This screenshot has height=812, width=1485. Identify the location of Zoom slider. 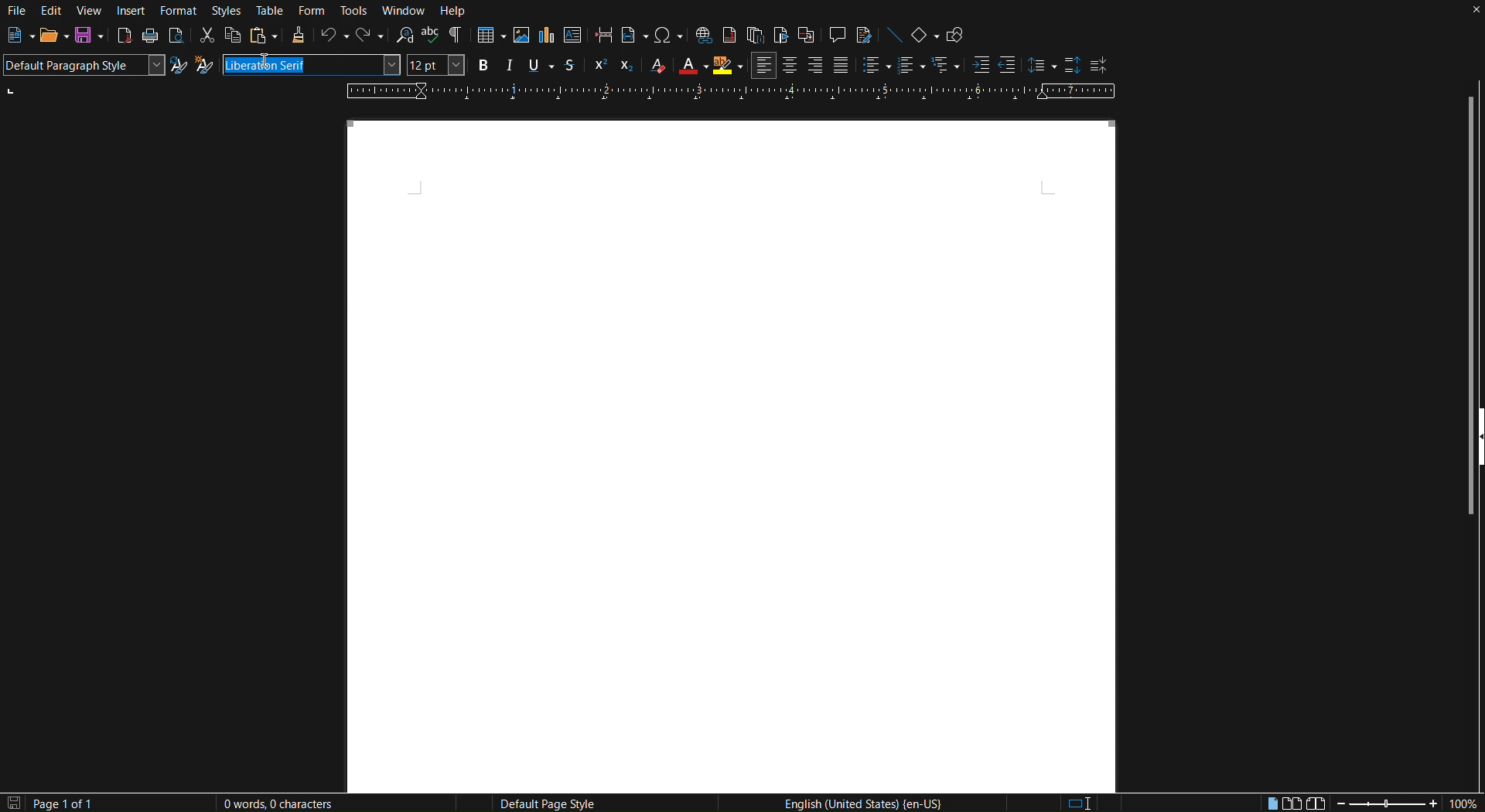
(1384, 804).